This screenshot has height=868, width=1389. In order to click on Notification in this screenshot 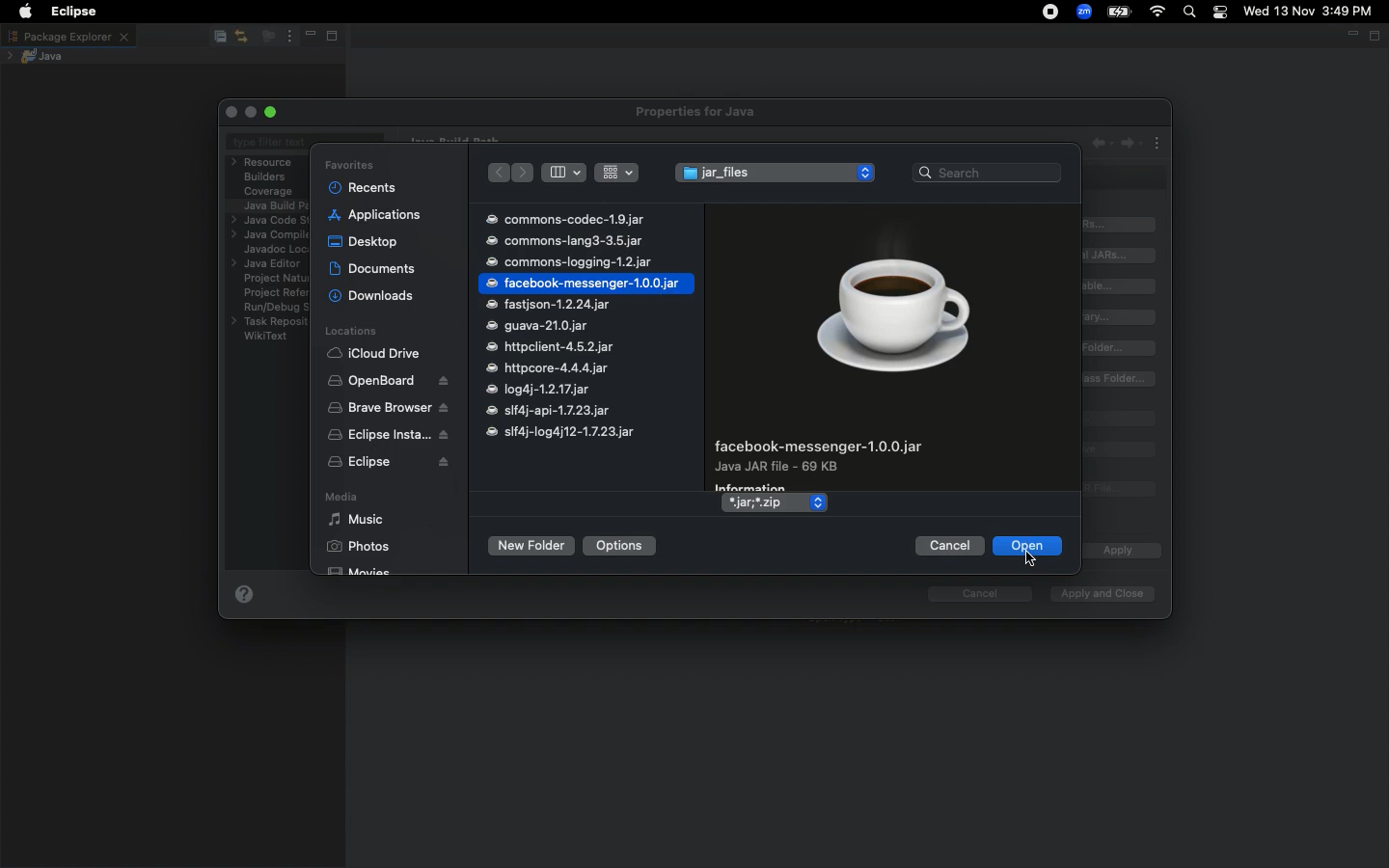, I will do `click(1222, 13)`.